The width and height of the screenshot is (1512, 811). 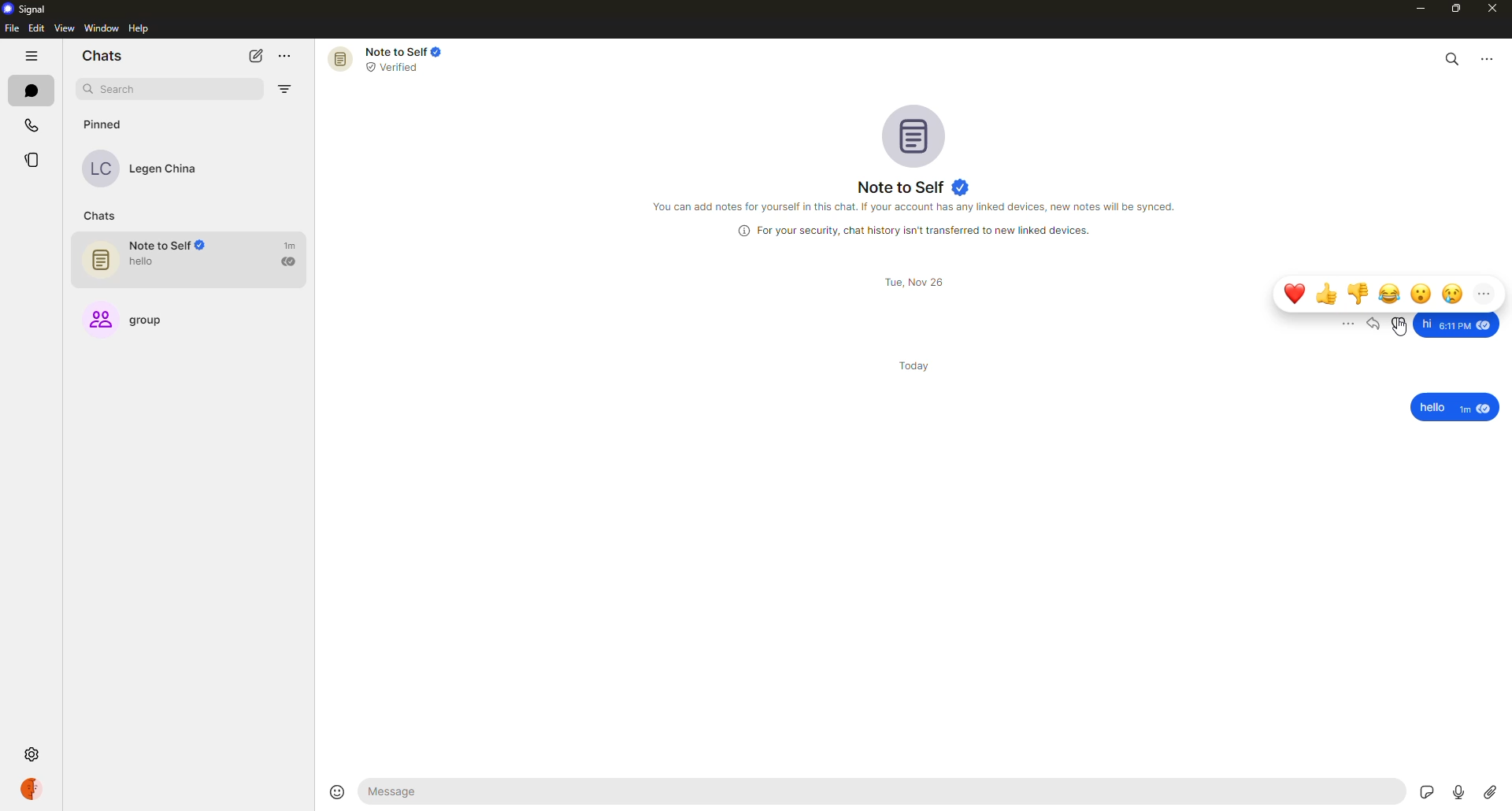 What do you see at coordinates (1454, 10) in the screenshot?
I see `maximize` at bounding box center [1454, 10].